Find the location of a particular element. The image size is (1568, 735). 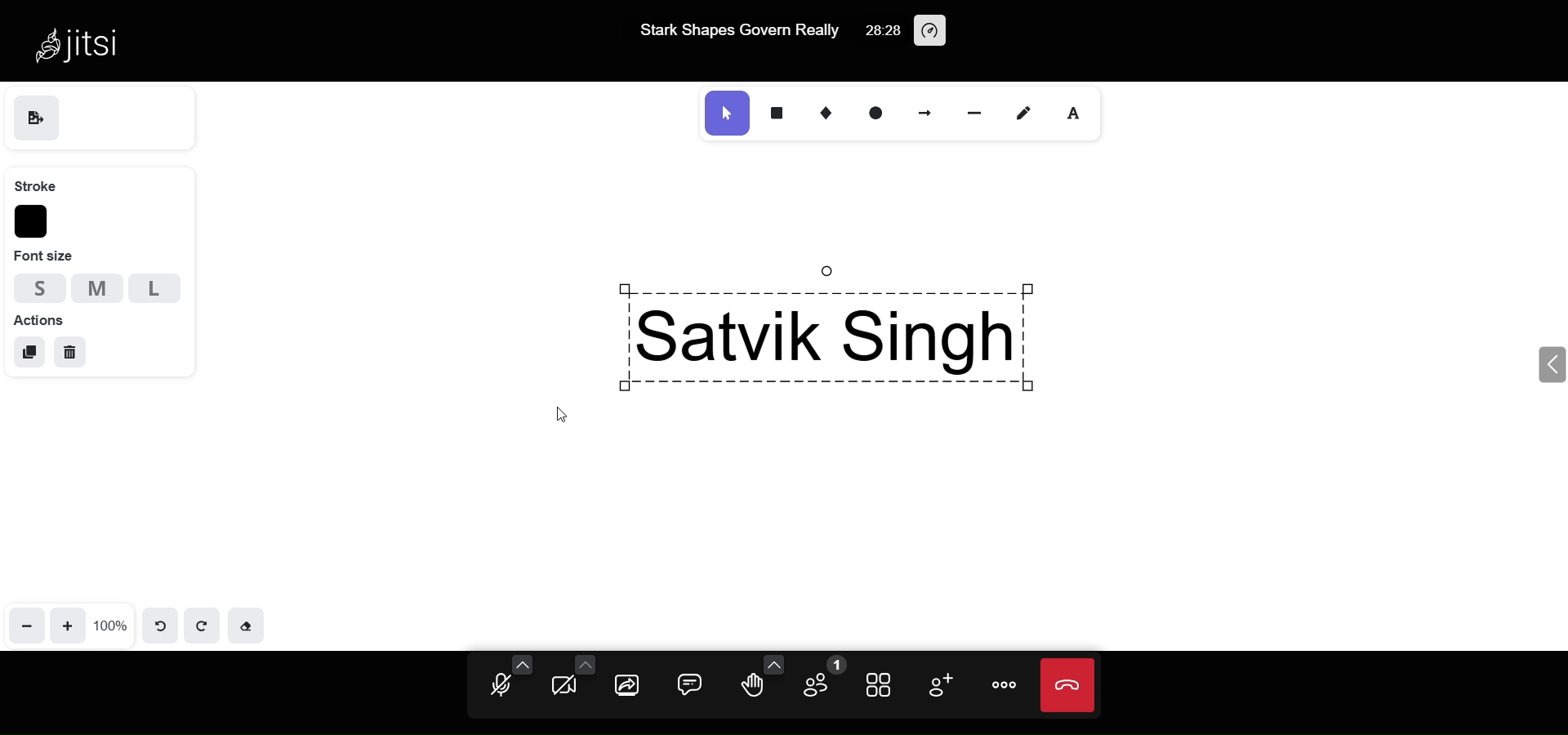

raise hand is located at coordinates (753, 689).